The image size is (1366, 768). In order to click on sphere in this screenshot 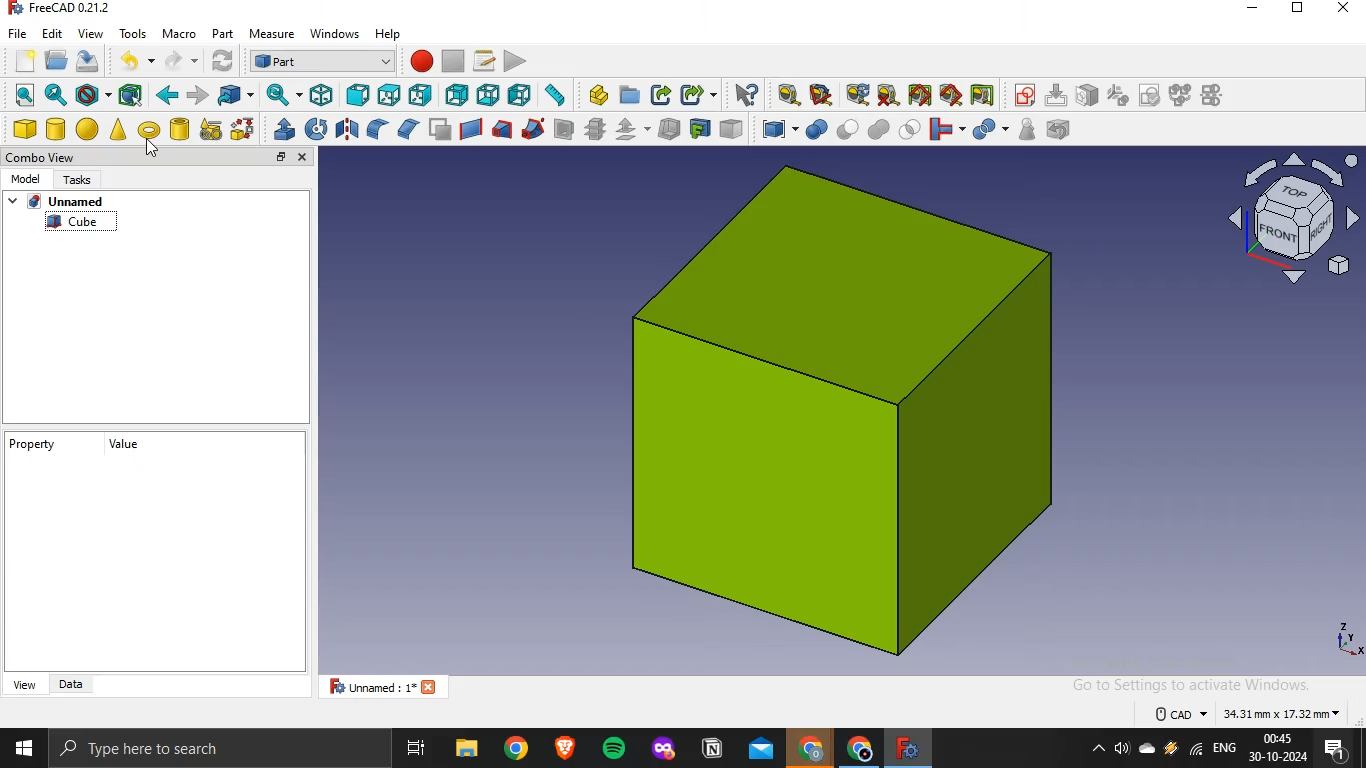, I will do `click(88, 129)`.